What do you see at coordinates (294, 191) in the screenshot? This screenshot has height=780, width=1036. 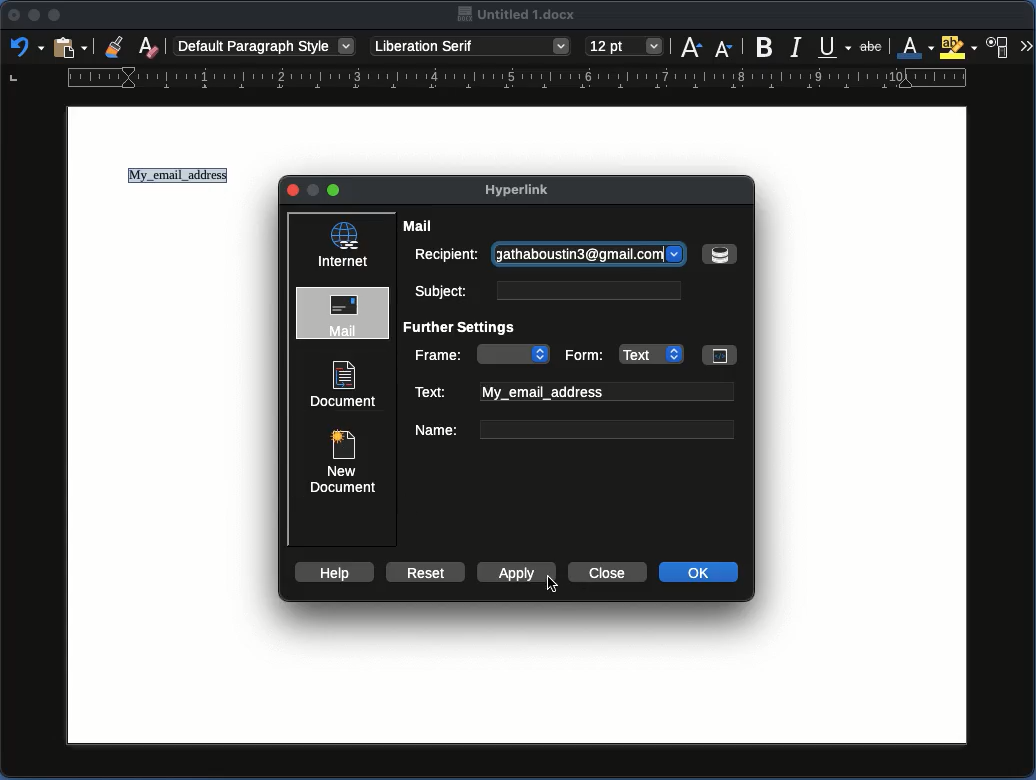 I see `Close` at bounding box center [294, 191].